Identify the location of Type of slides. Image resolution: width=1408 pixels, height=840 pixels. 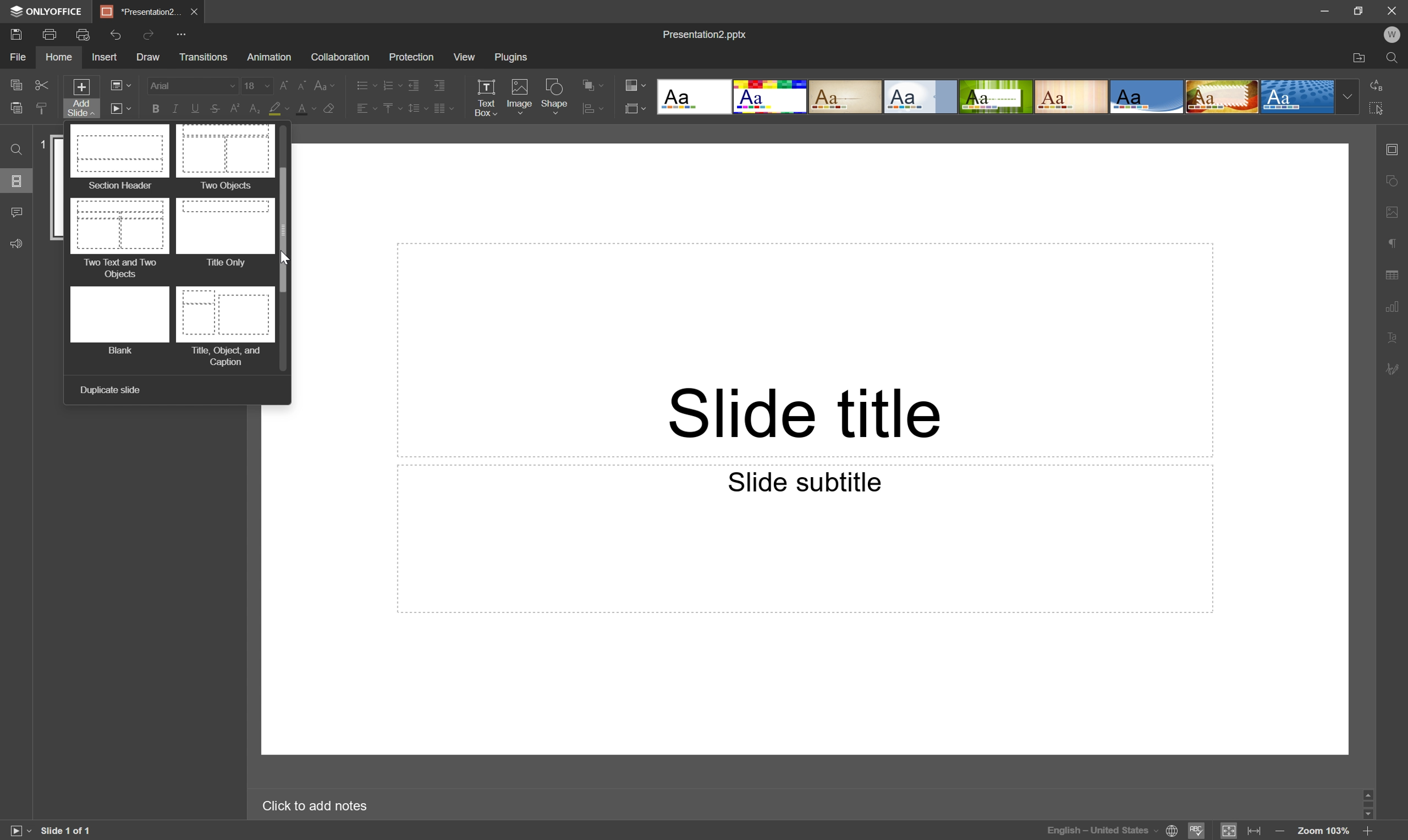
(170, 247).